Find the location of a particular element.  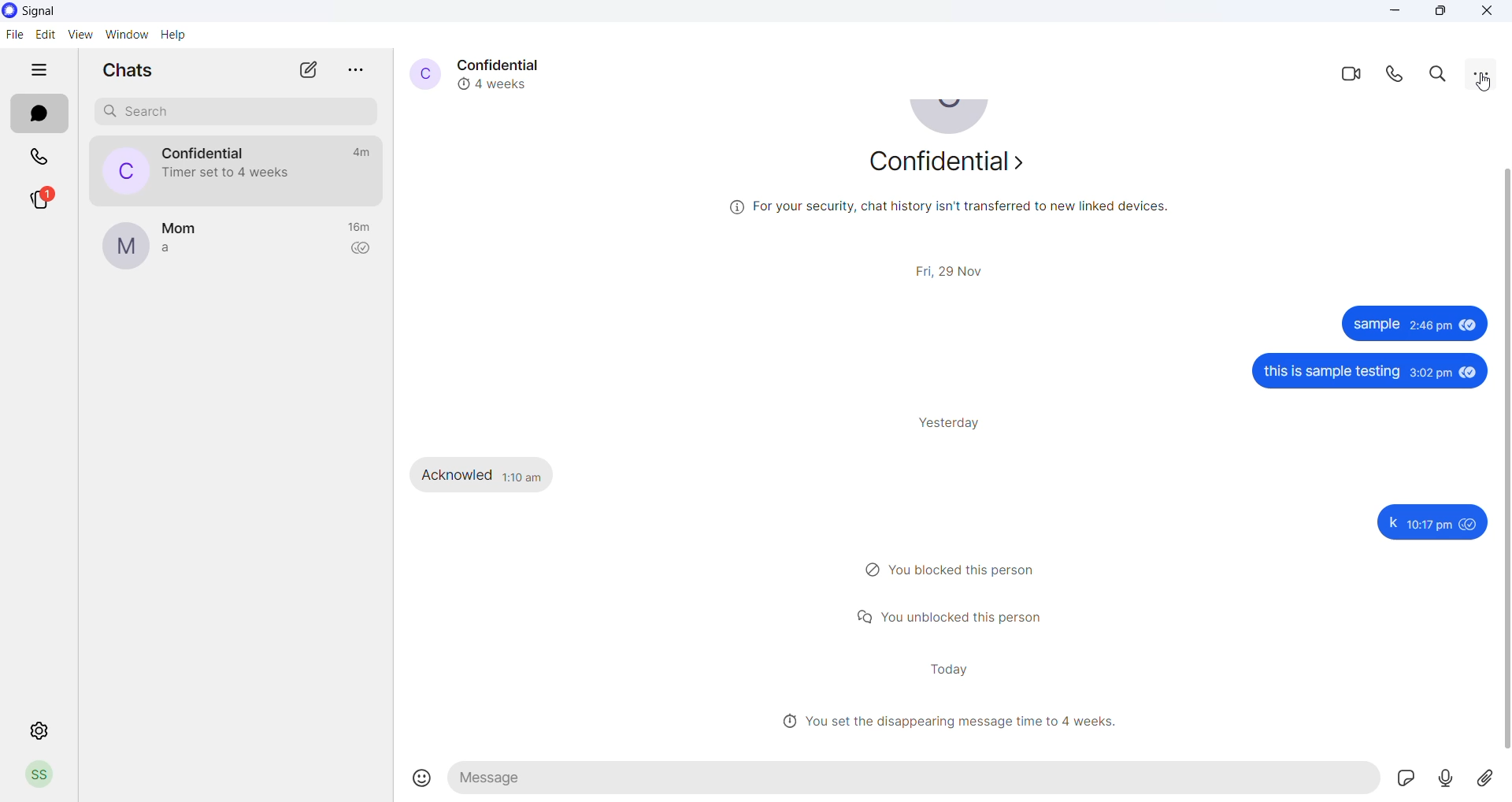

calls is located at coordinates (39, 157).